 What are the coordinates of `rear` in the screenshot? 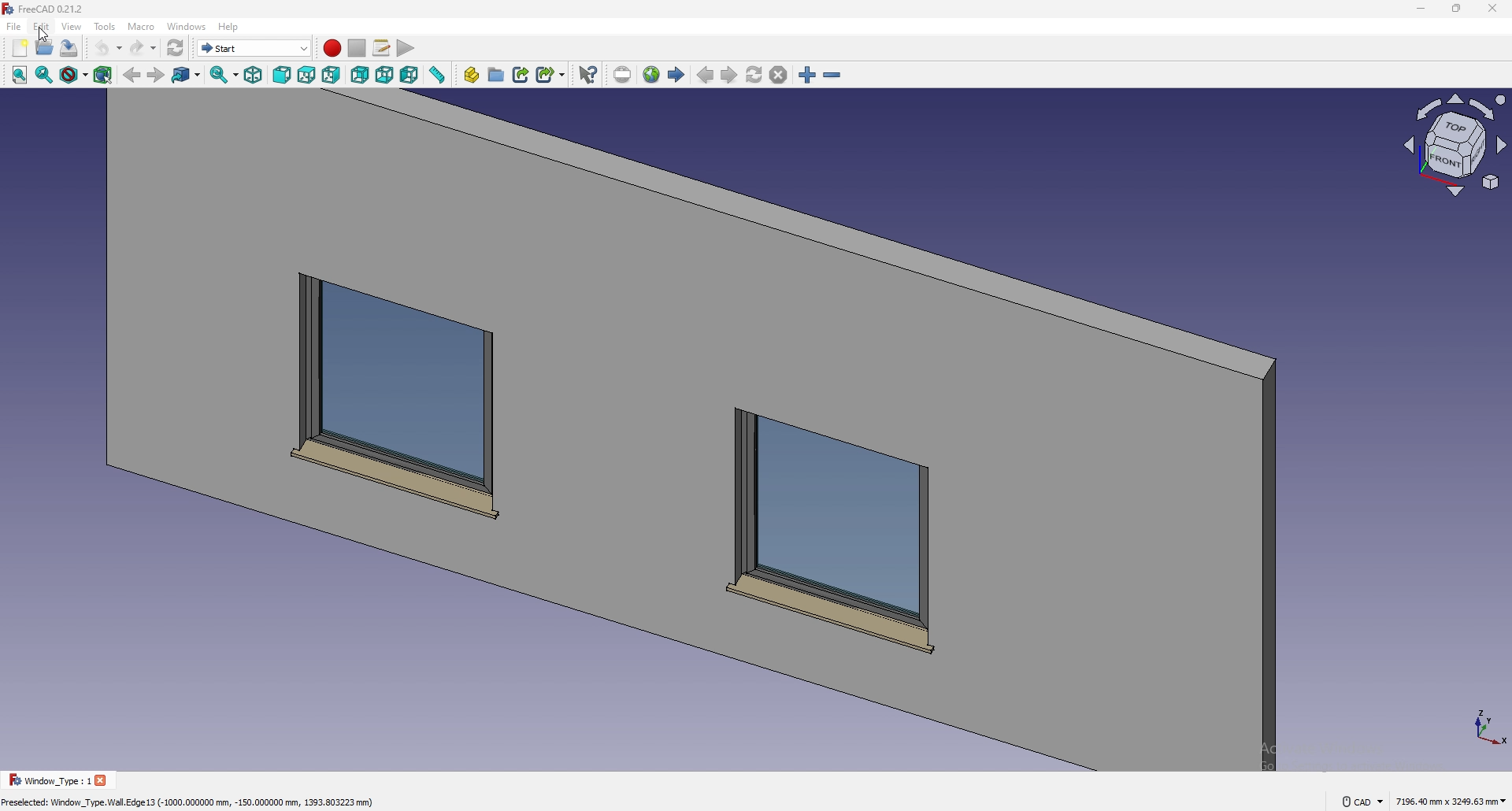 It's located at (360, 76).